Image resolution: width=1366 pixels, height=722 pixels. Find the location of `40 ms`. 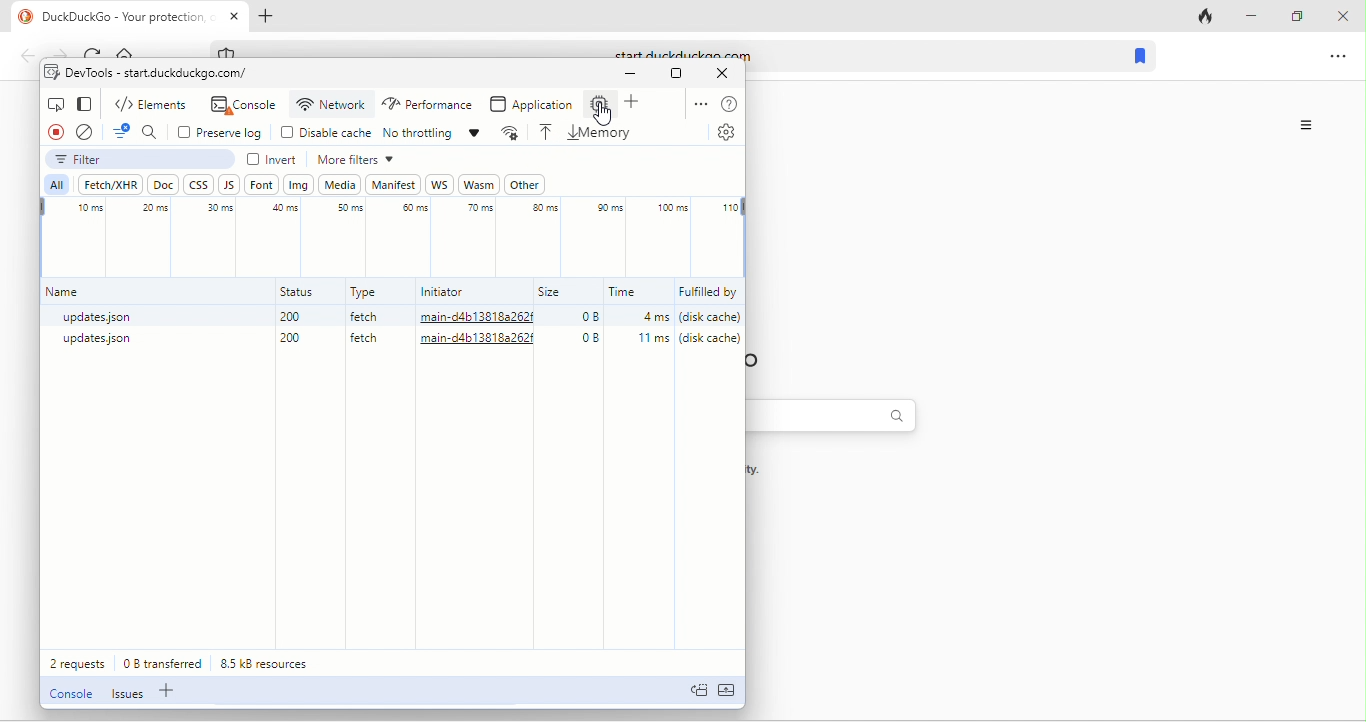

40 ms is located at coordinates (281, 221).